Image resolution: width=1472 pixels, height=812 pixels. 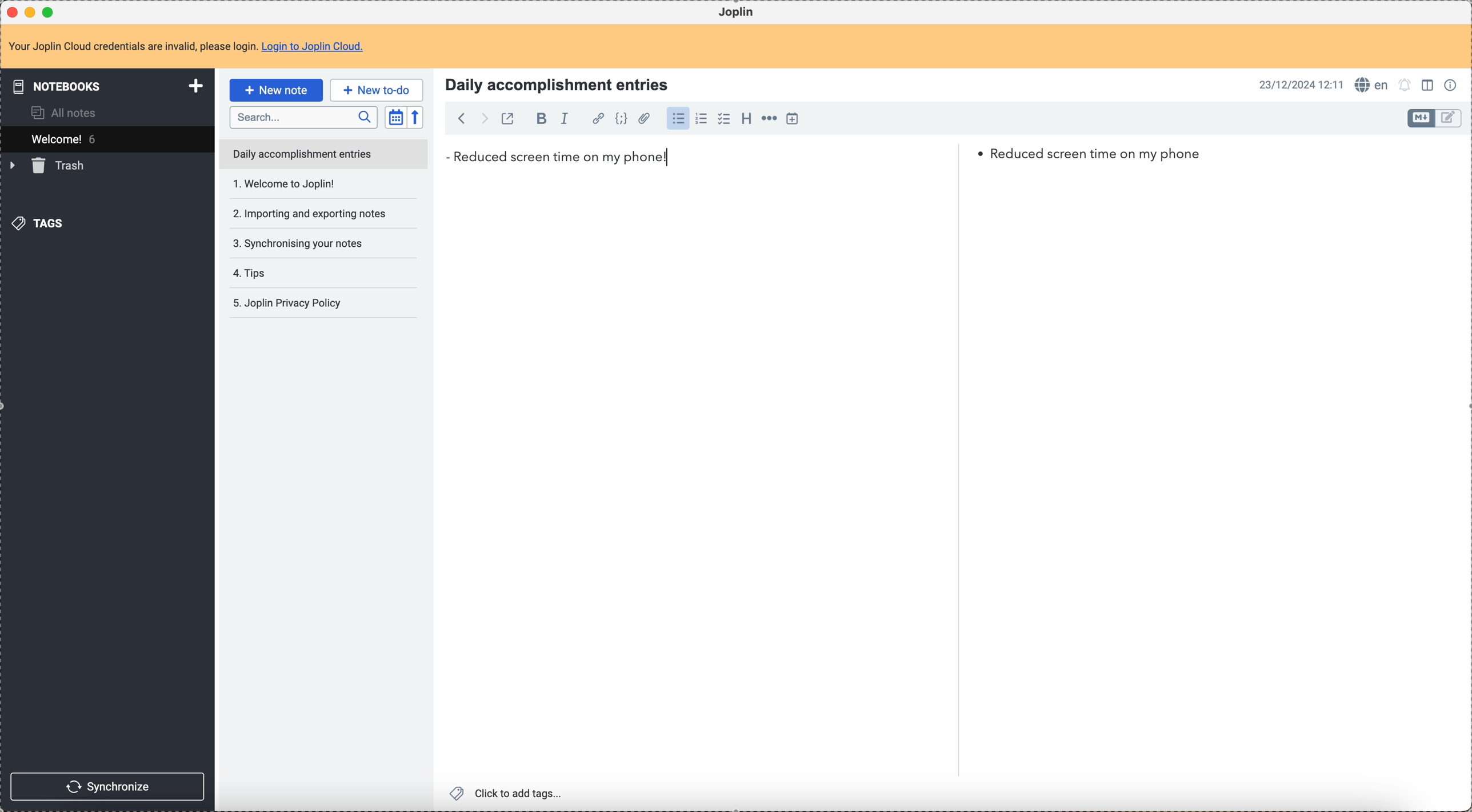 I want to click on trash, so click(x=50, y=166).